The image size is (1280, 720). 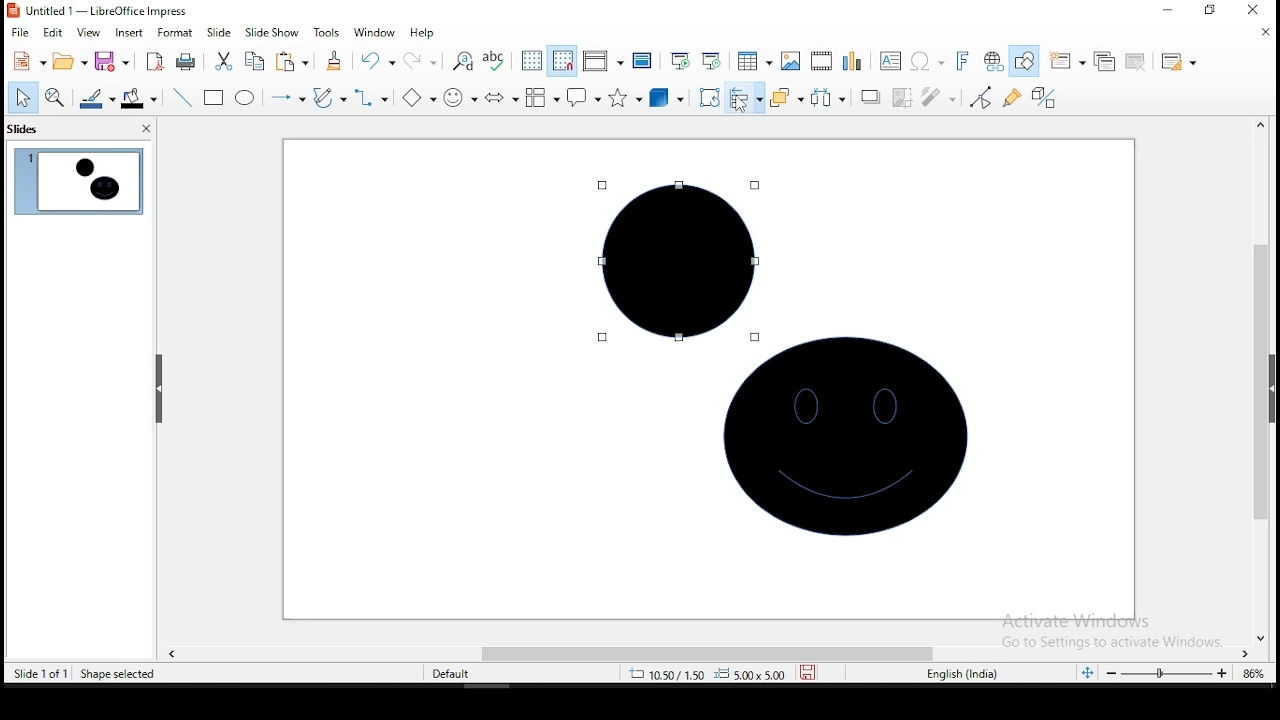 What do you see at coordinates (423, 32) in the screenshot?
I see `help` at bounding box center [423, 32].